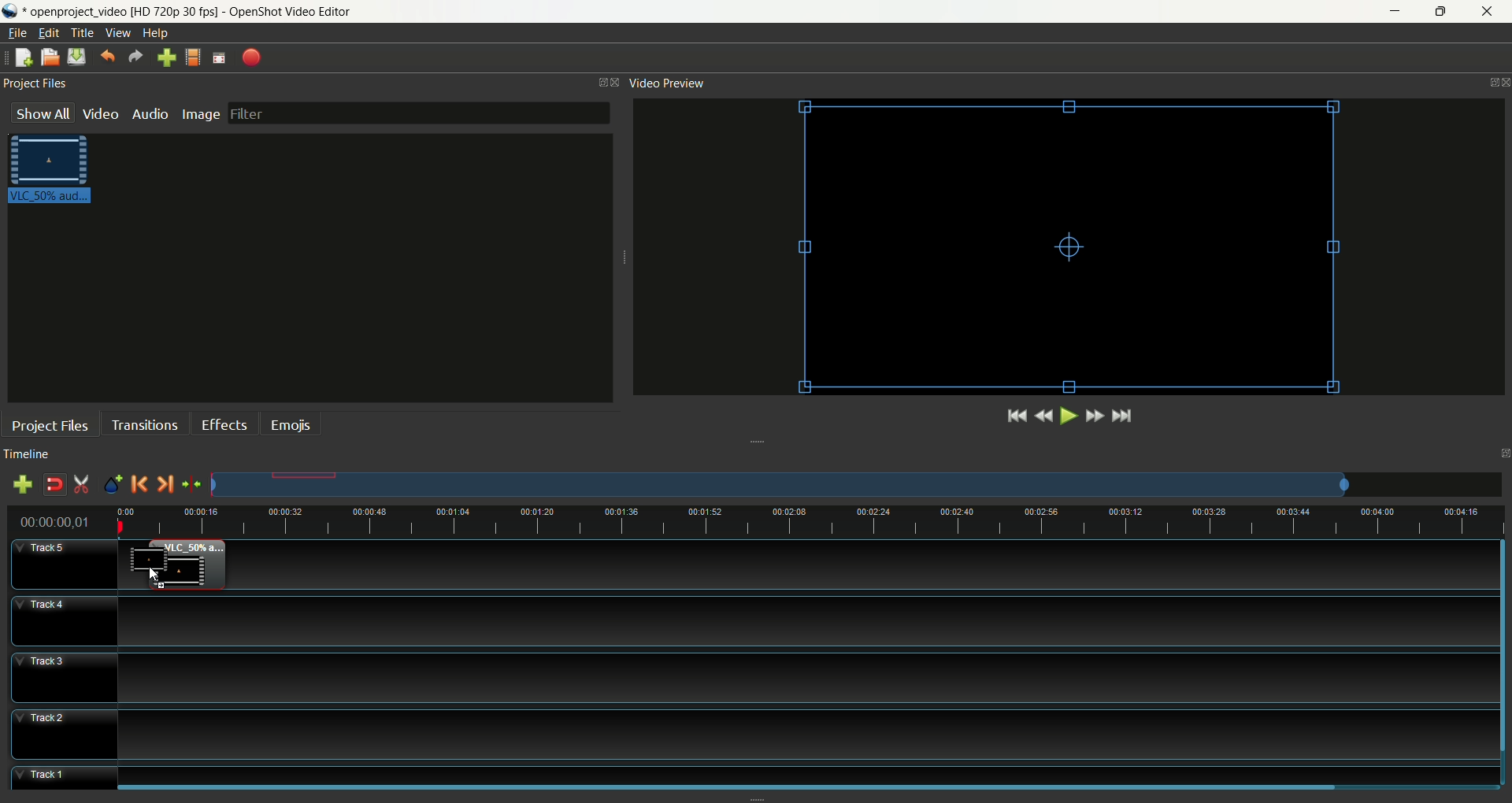  What do you see at coordinates (148, 572) in the screenshot?
I see `cursor` at bounding box center [148, 572].